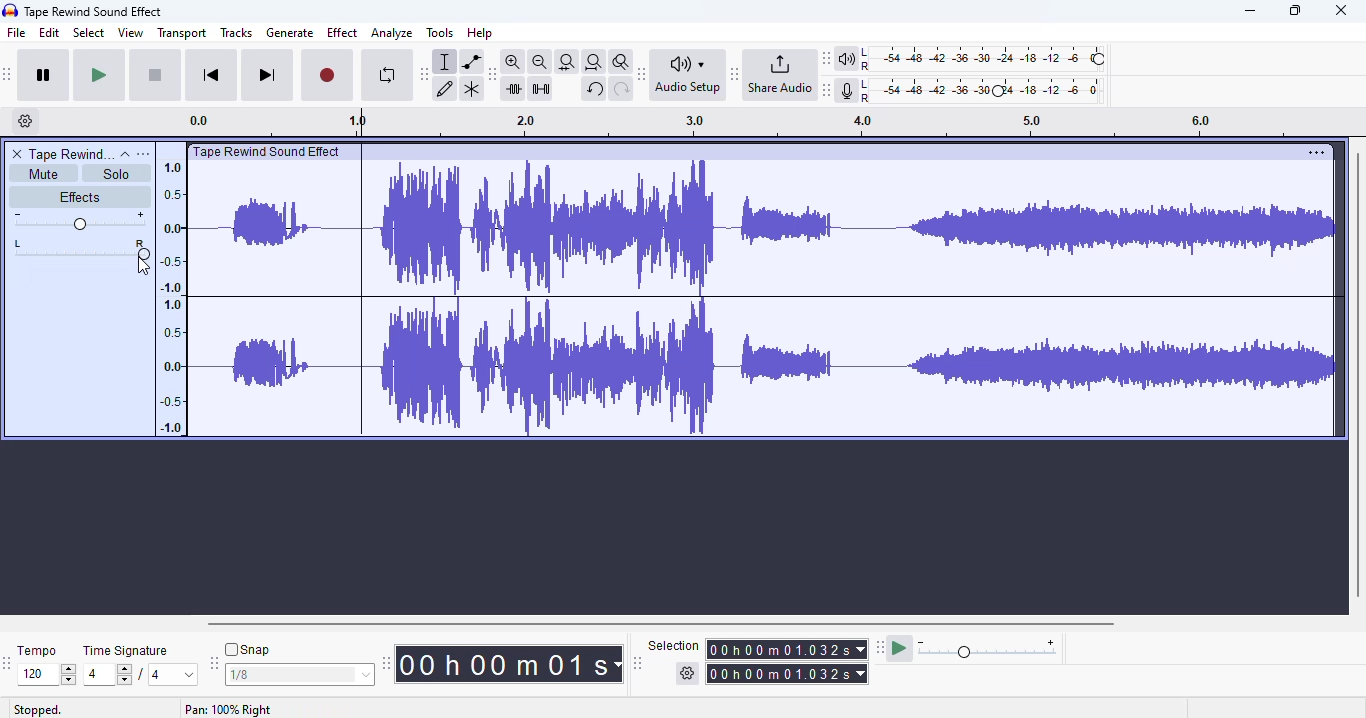 The height and width of the screenshot is (718, 1366). Describe the element at coordinates (170, 296) in the screenshot. I see `timeline` at that location.